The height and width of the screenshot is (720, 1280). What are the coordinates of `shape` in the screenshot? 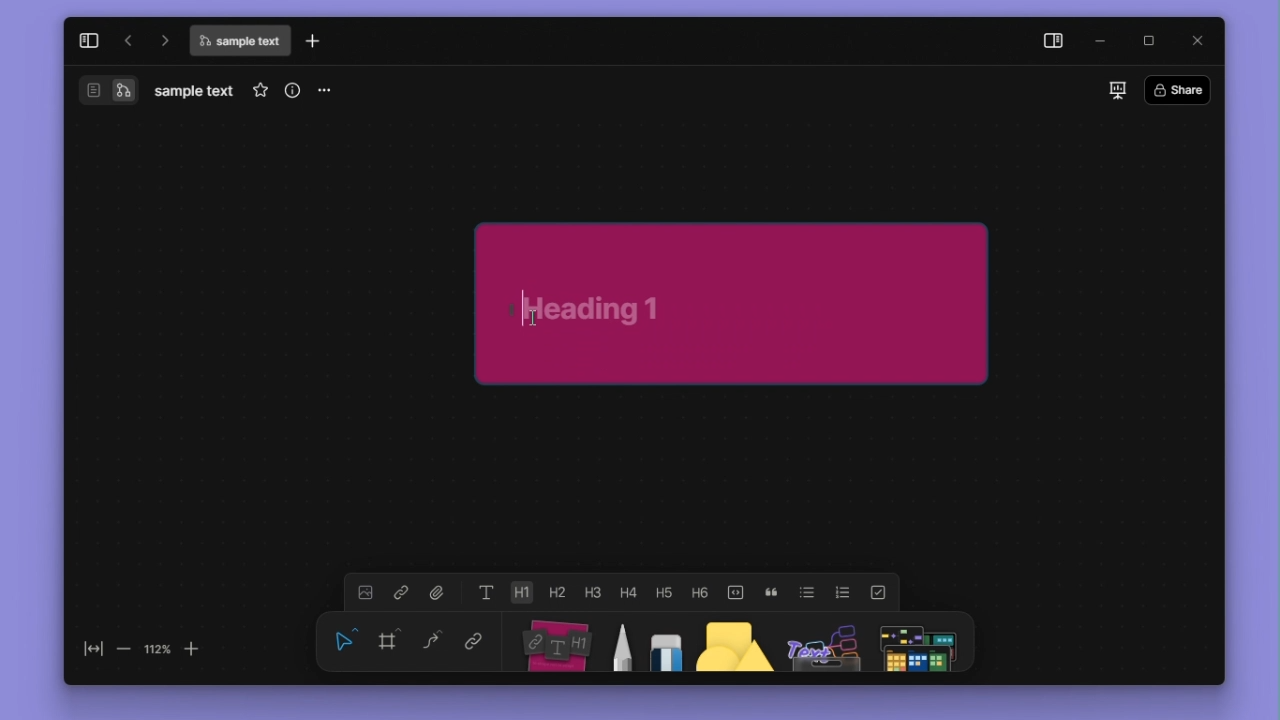 It's located at (734, 642).